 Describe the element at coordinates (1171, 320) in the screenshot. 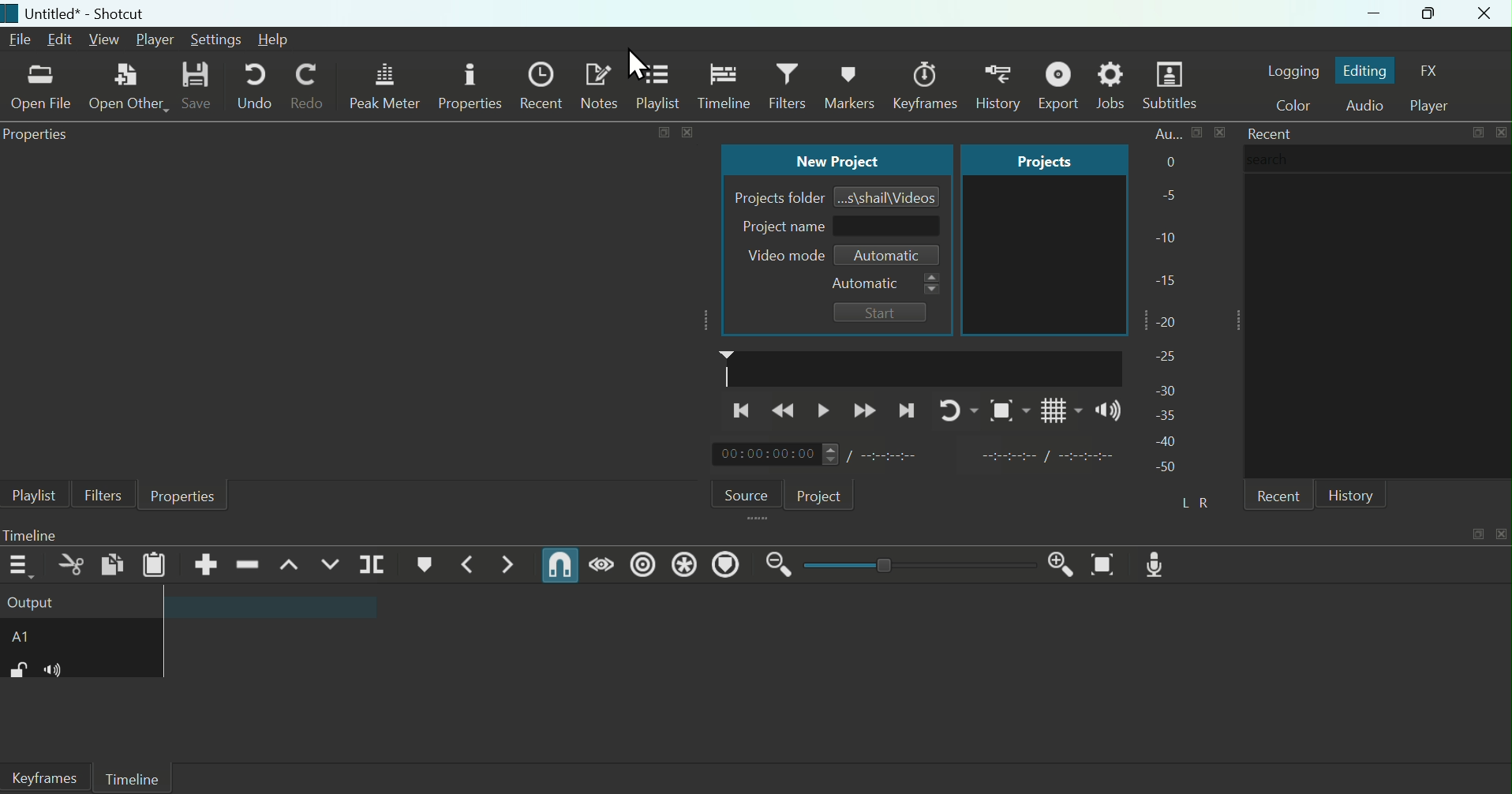

I see `-20` at that location.